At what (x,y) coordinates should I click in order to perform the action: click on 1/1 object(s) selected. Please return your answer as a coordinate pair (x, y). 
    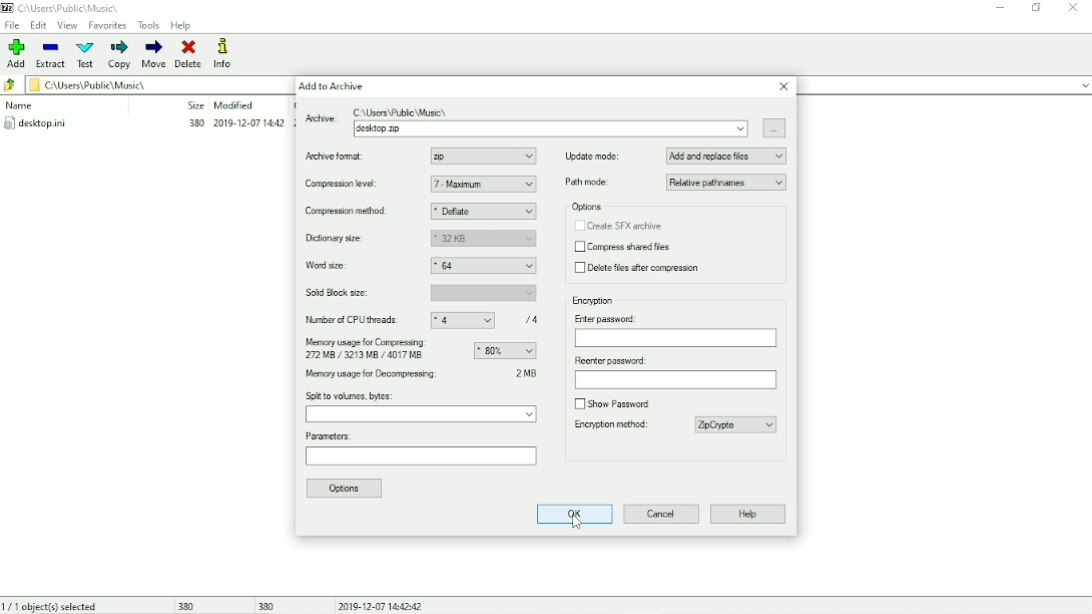
    Looking at the image, I should click on (55, 605).